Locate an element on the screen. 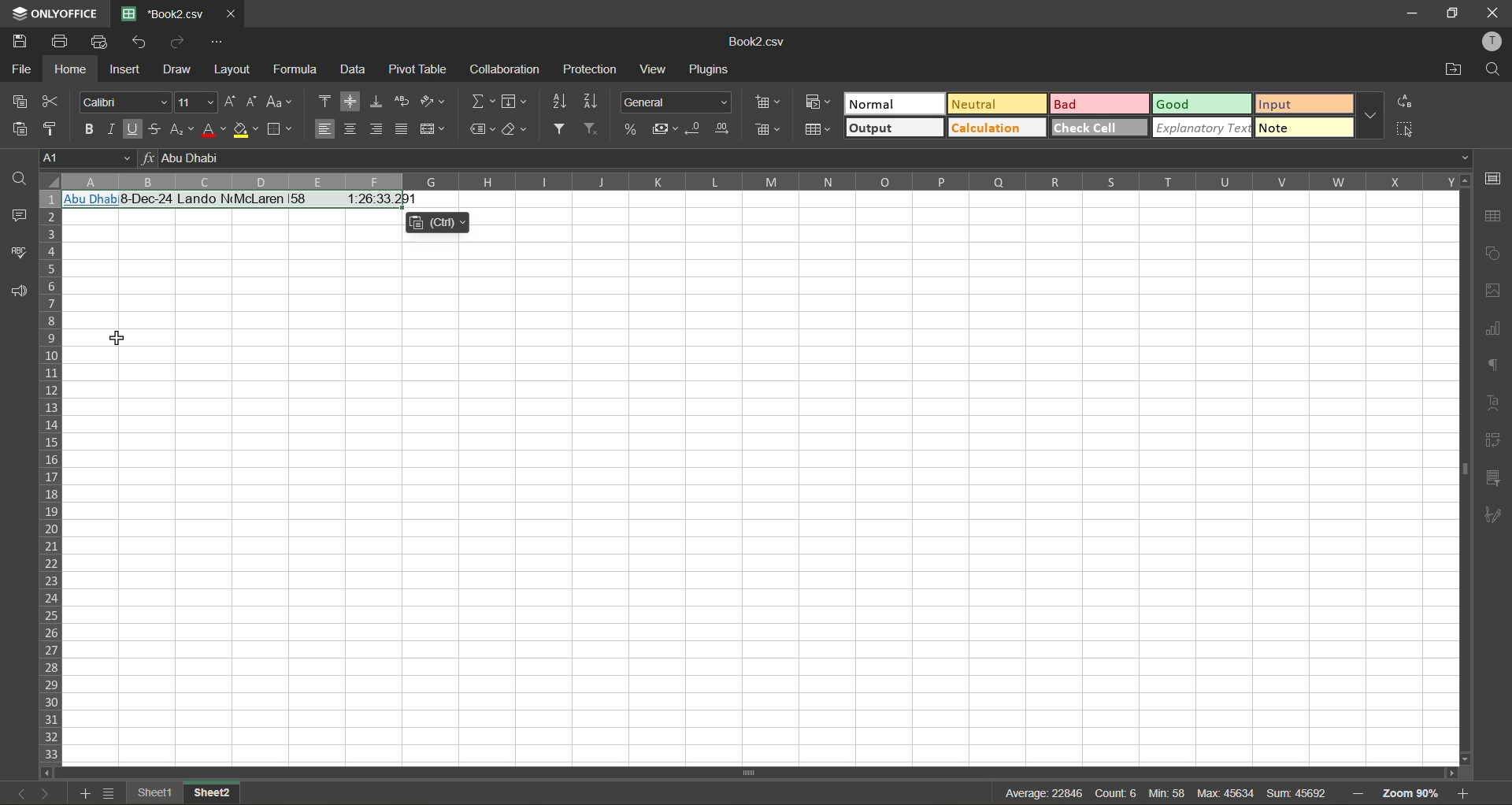 The width and height of the screenshot is (1512, 805). plugins is located at coordinates (712, 70).